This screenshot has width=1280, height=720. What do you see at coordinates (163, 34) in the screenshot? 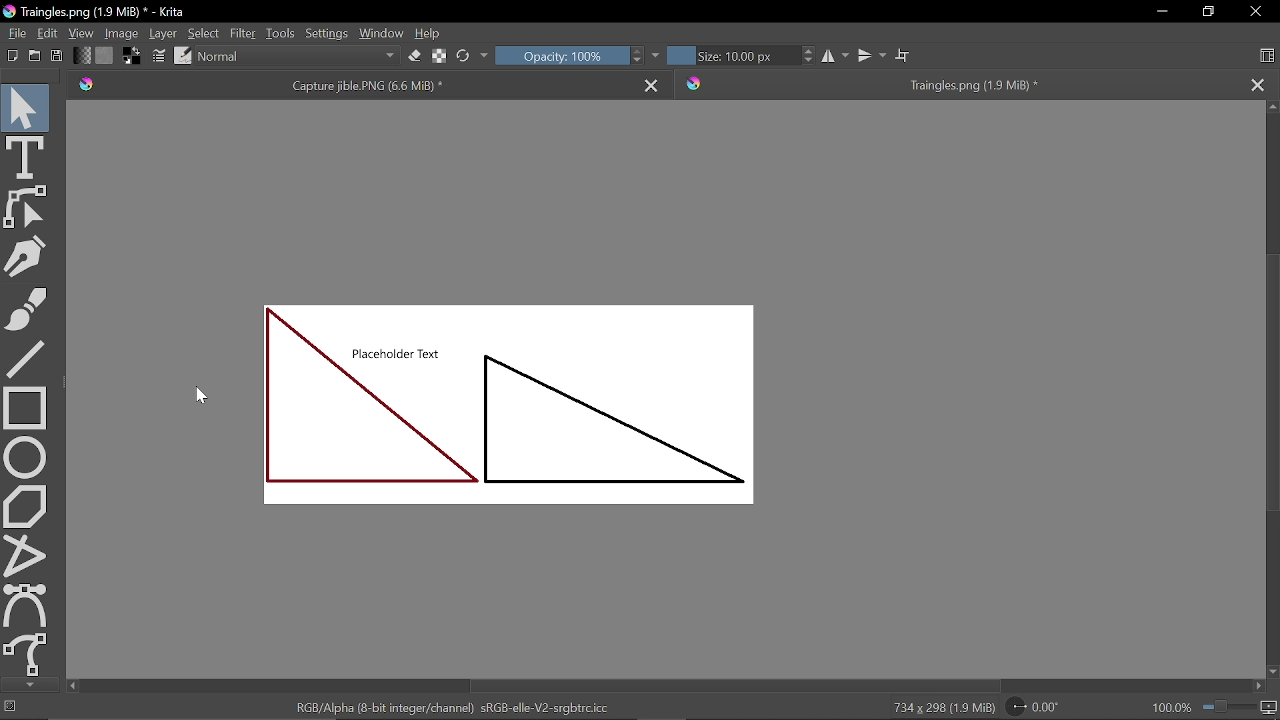
I see `Layer` at bounding box center [163, 34].